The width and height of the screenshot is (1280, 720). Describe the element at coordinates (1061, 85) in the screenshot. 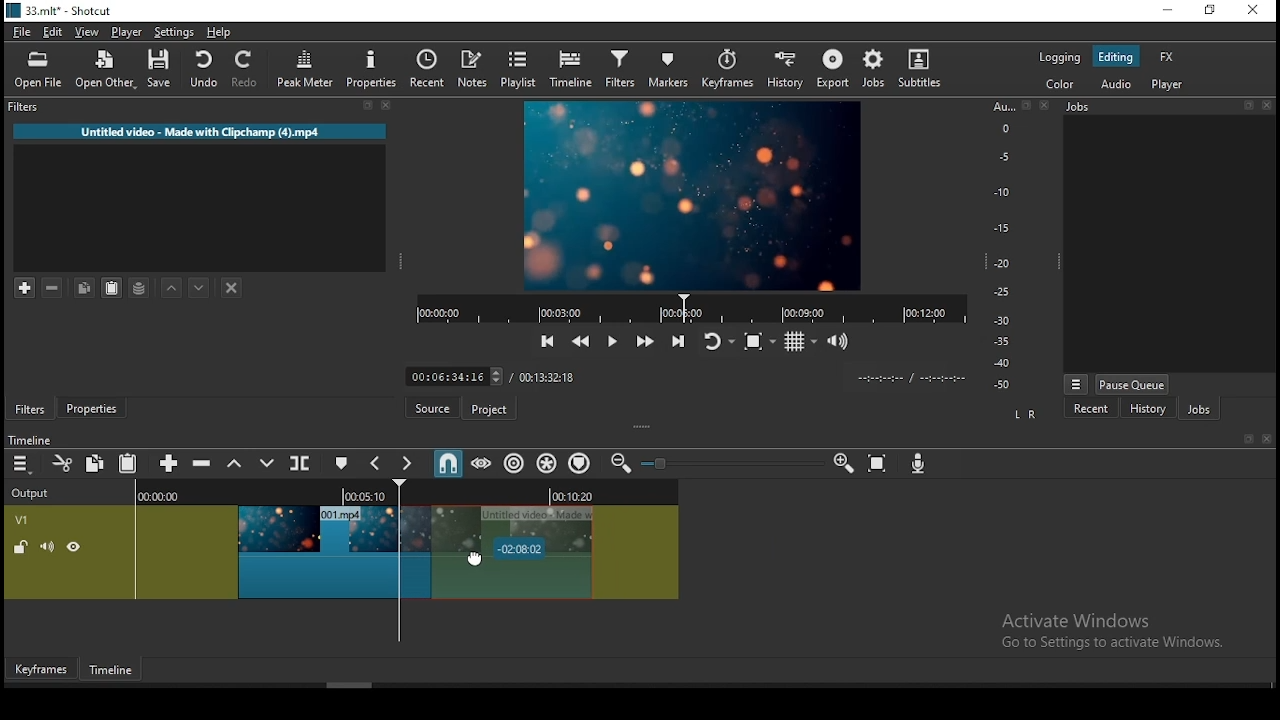

I see `color` at that location.